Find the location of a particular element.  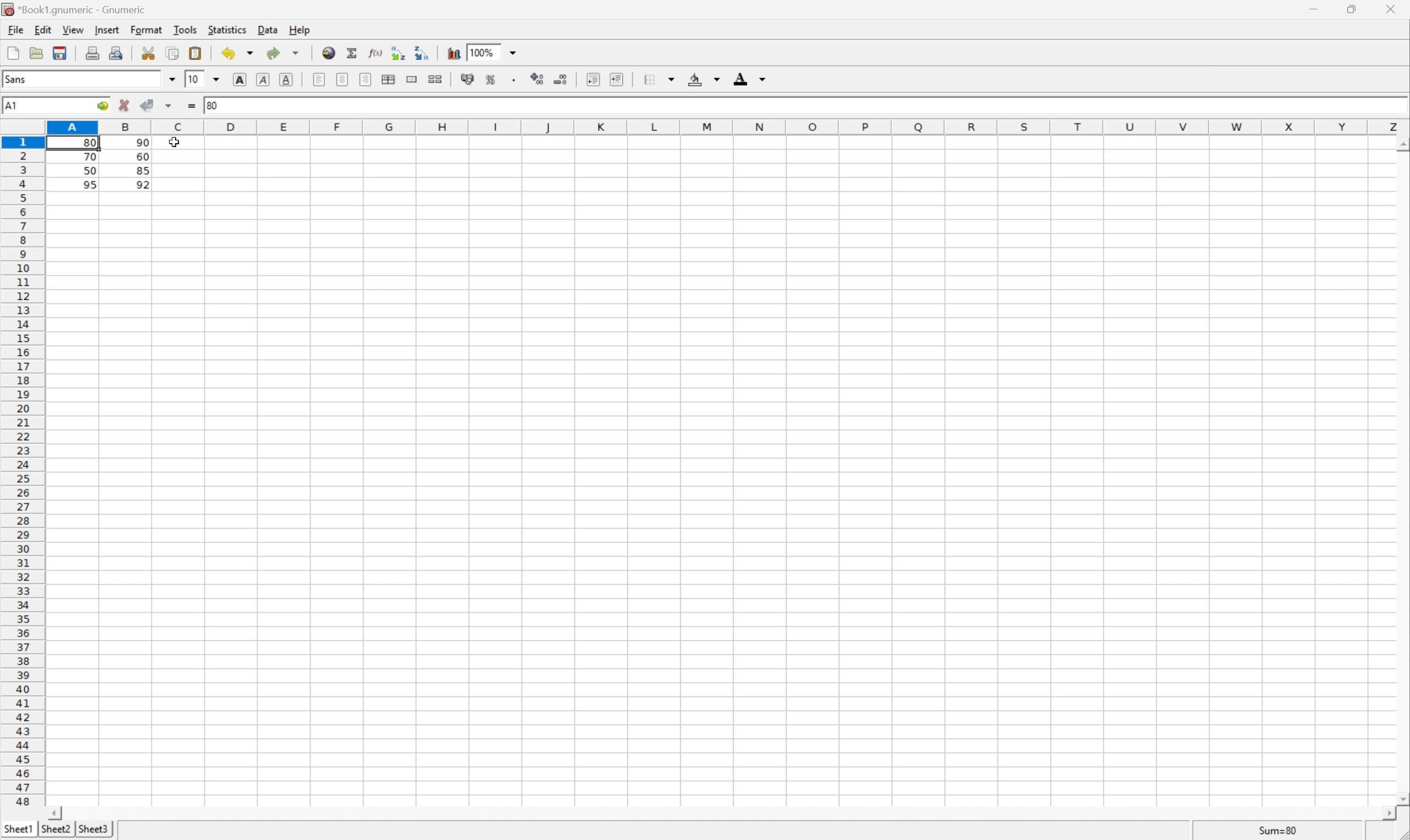

Undo is located at coordinates (228, 54).